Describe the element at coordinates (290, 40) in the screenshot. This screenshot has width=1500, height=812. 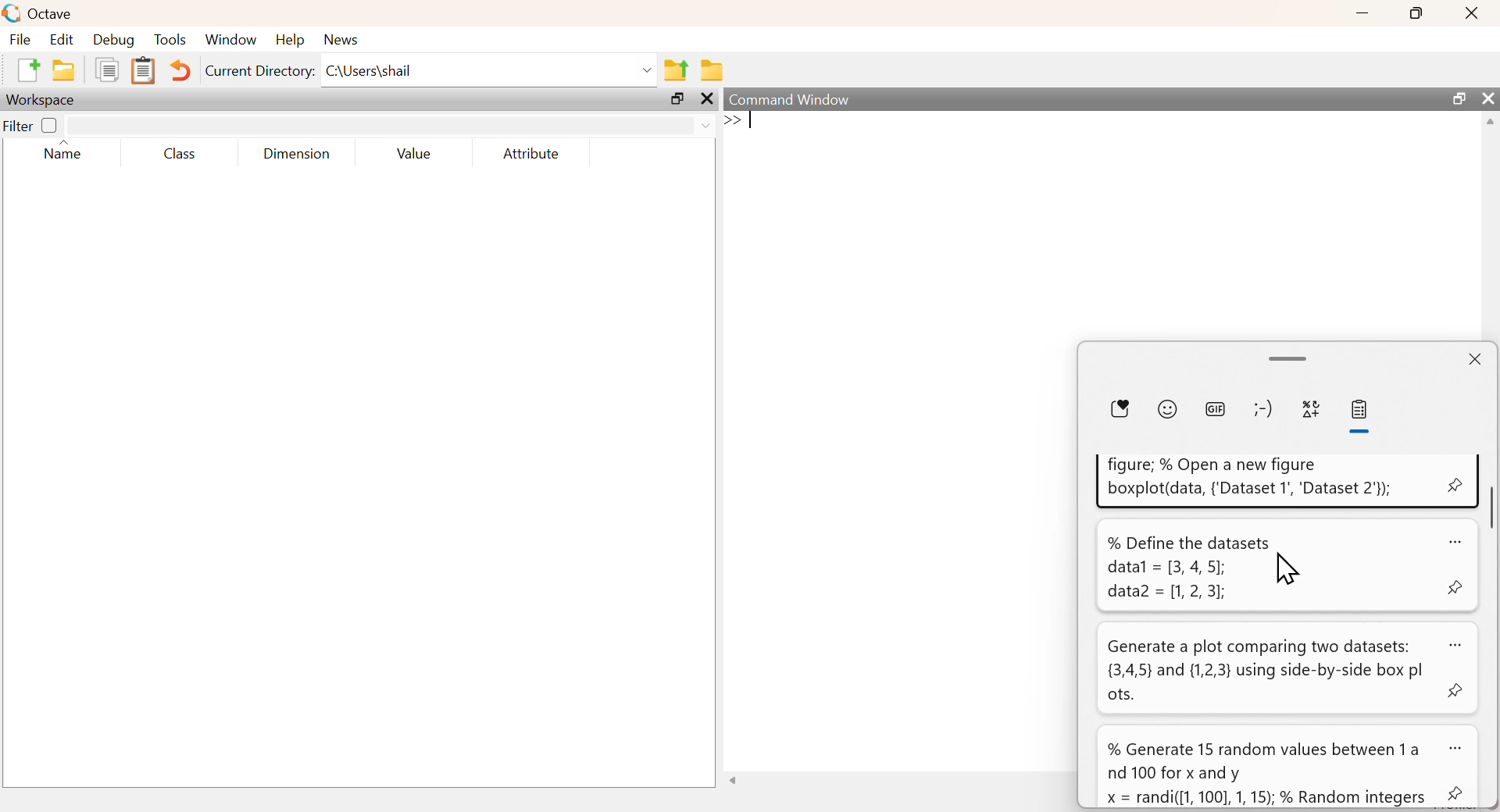
I see `Help` at that location.